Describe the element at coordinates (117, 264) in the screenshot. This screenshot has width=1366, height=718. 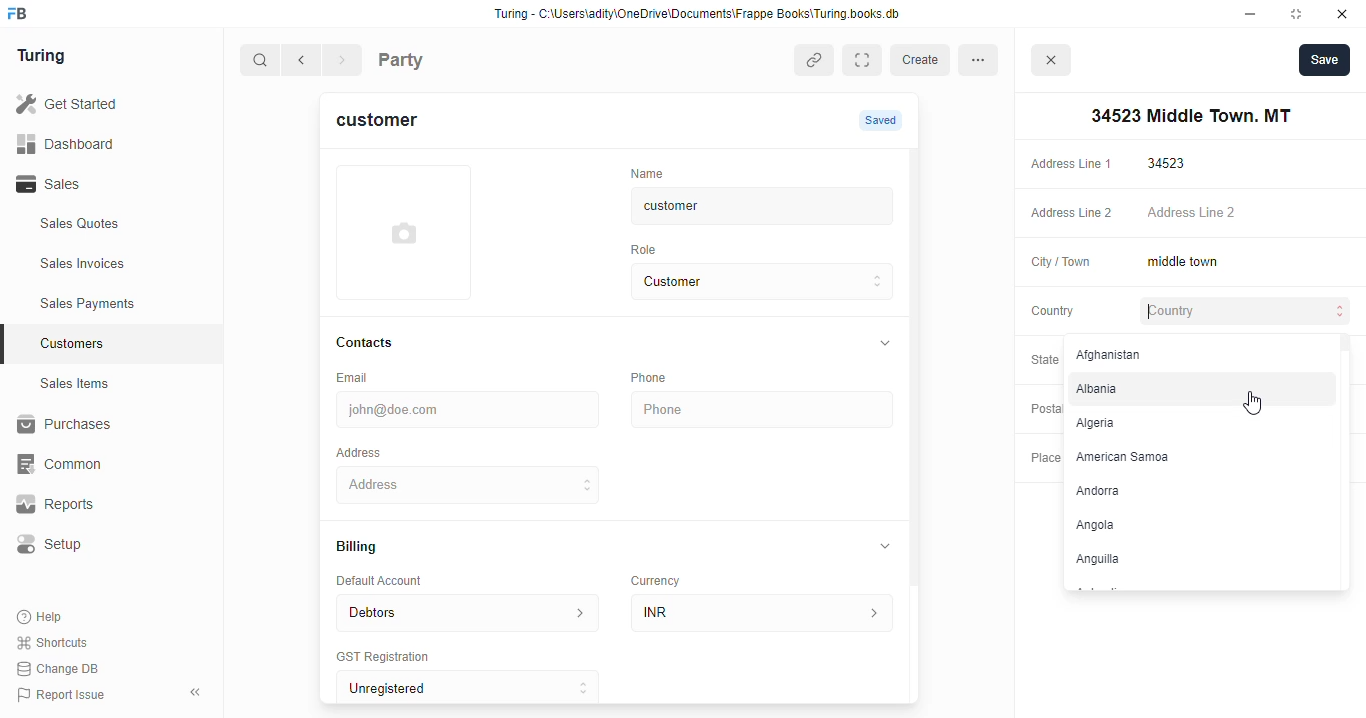
I see `Sales Invoices` at that location.